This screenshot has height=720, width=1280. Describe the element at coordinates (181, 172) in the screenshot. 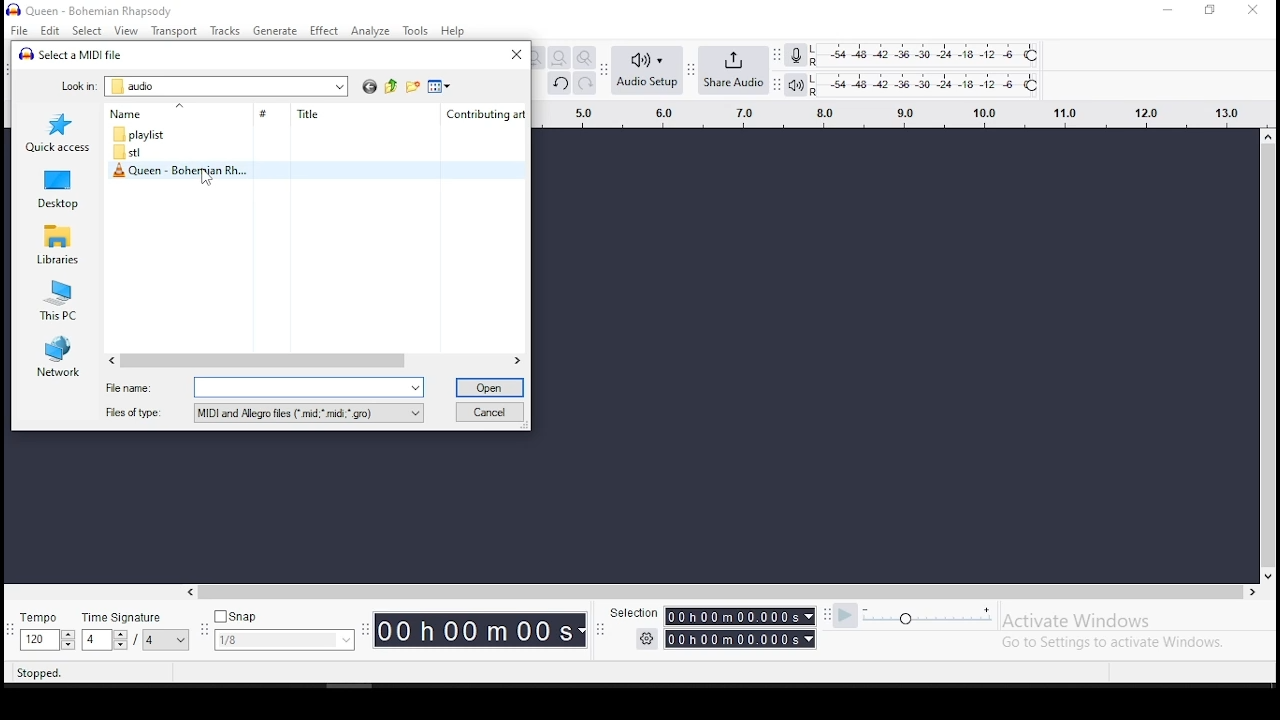

I see `midi file` at that location.